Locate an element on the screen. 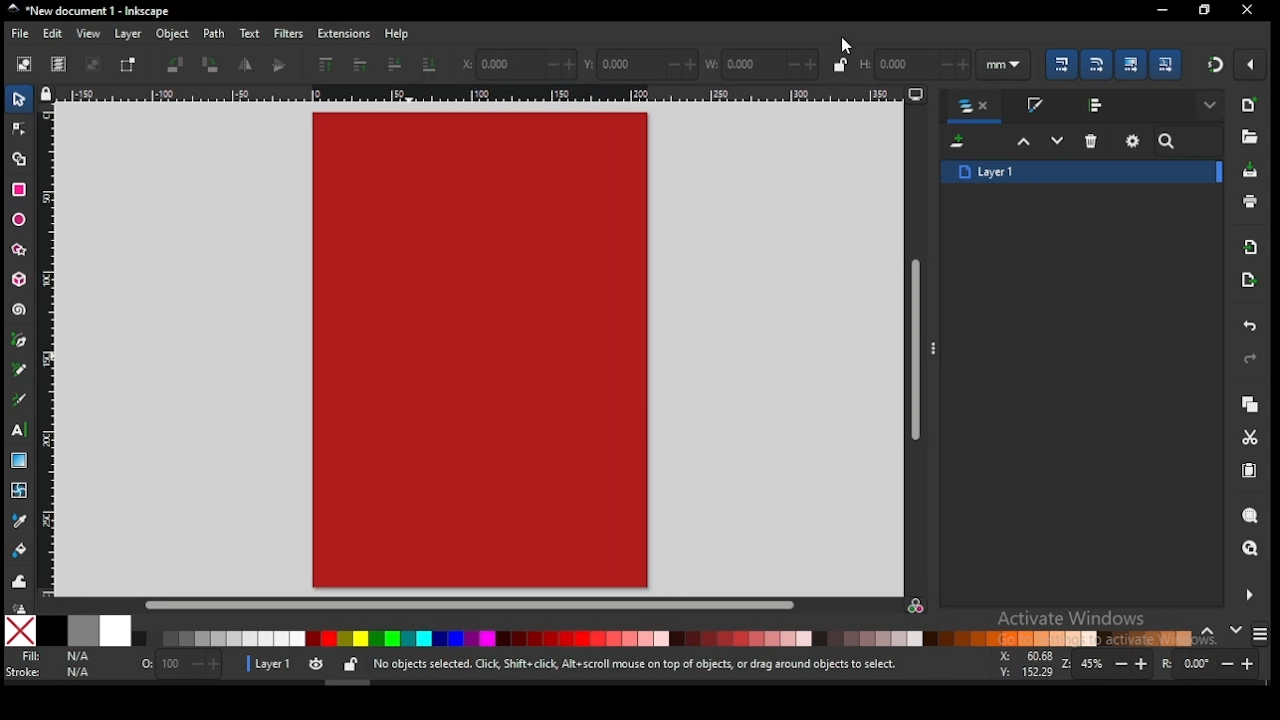 The height and width of the screenshot is (720, 1280). dropper tool is located at coordinates (20, 519).